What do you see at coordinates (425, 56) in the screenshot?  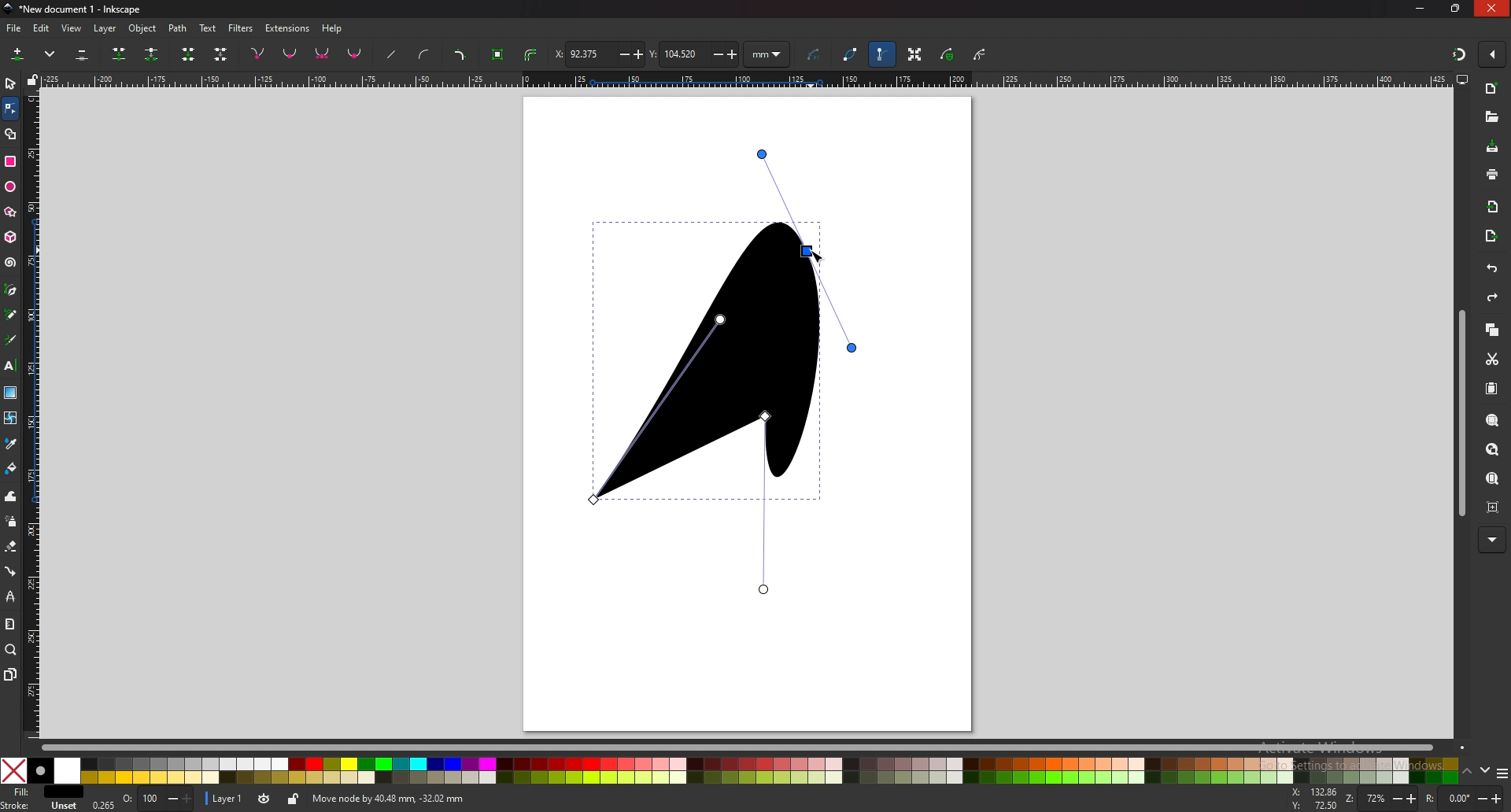 I see `add curve handles` at bounding box center [425, 56].